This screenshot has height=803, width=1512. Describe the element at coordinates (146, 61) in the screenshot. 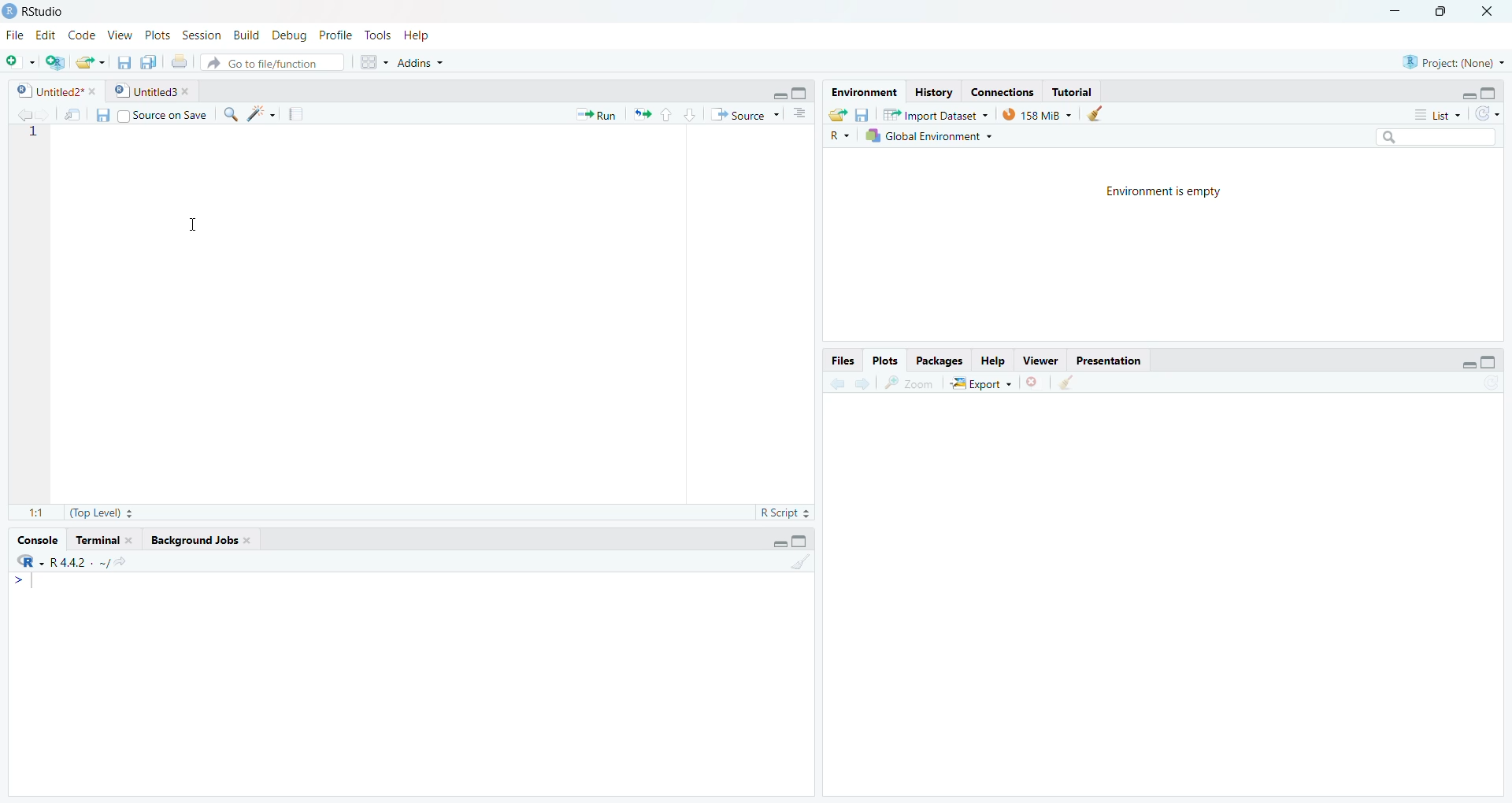

I see `save all documents` at that location.